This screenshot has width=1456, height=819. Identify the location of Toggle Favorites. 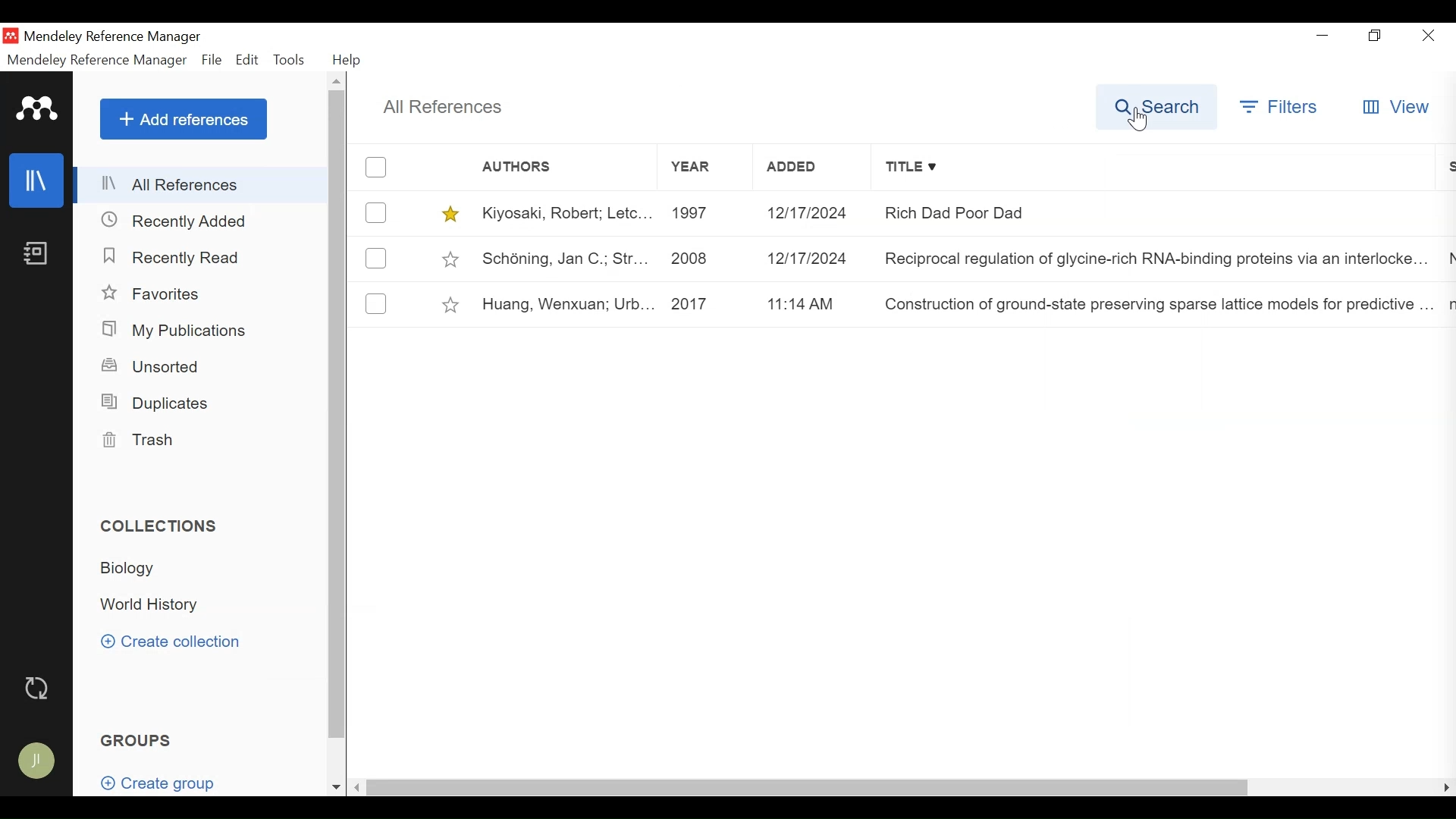
(450, 213).